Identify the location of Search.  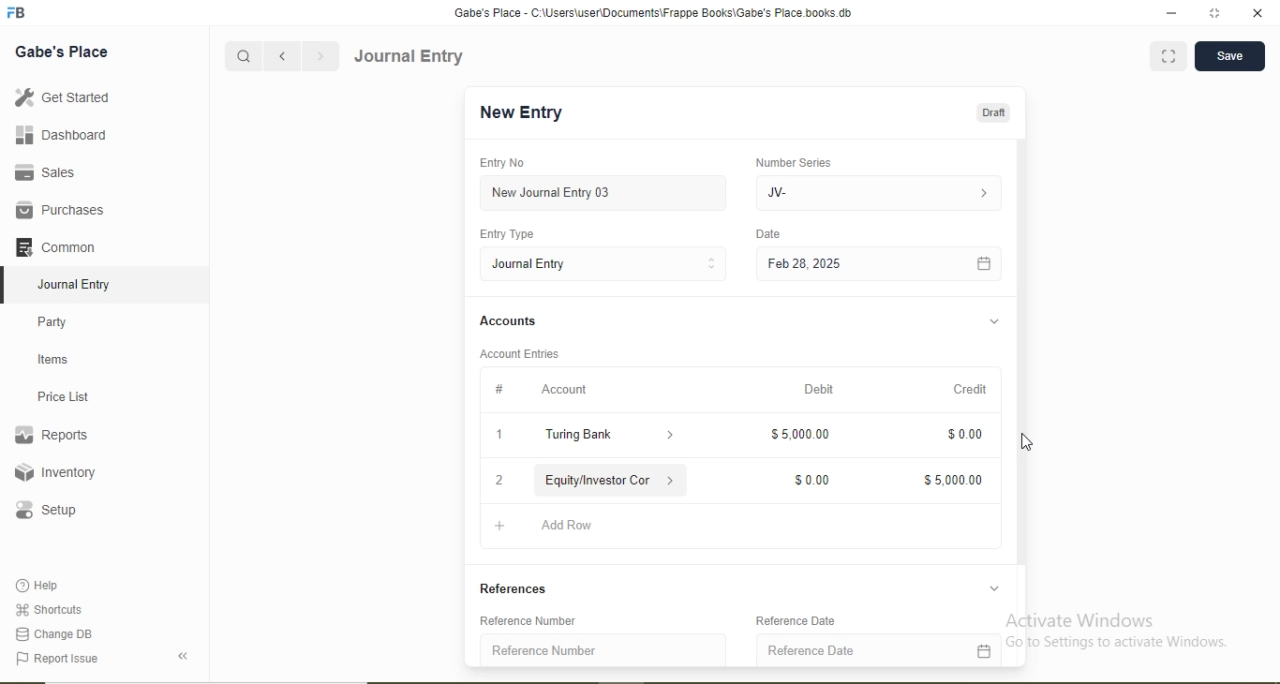
(242, 57).